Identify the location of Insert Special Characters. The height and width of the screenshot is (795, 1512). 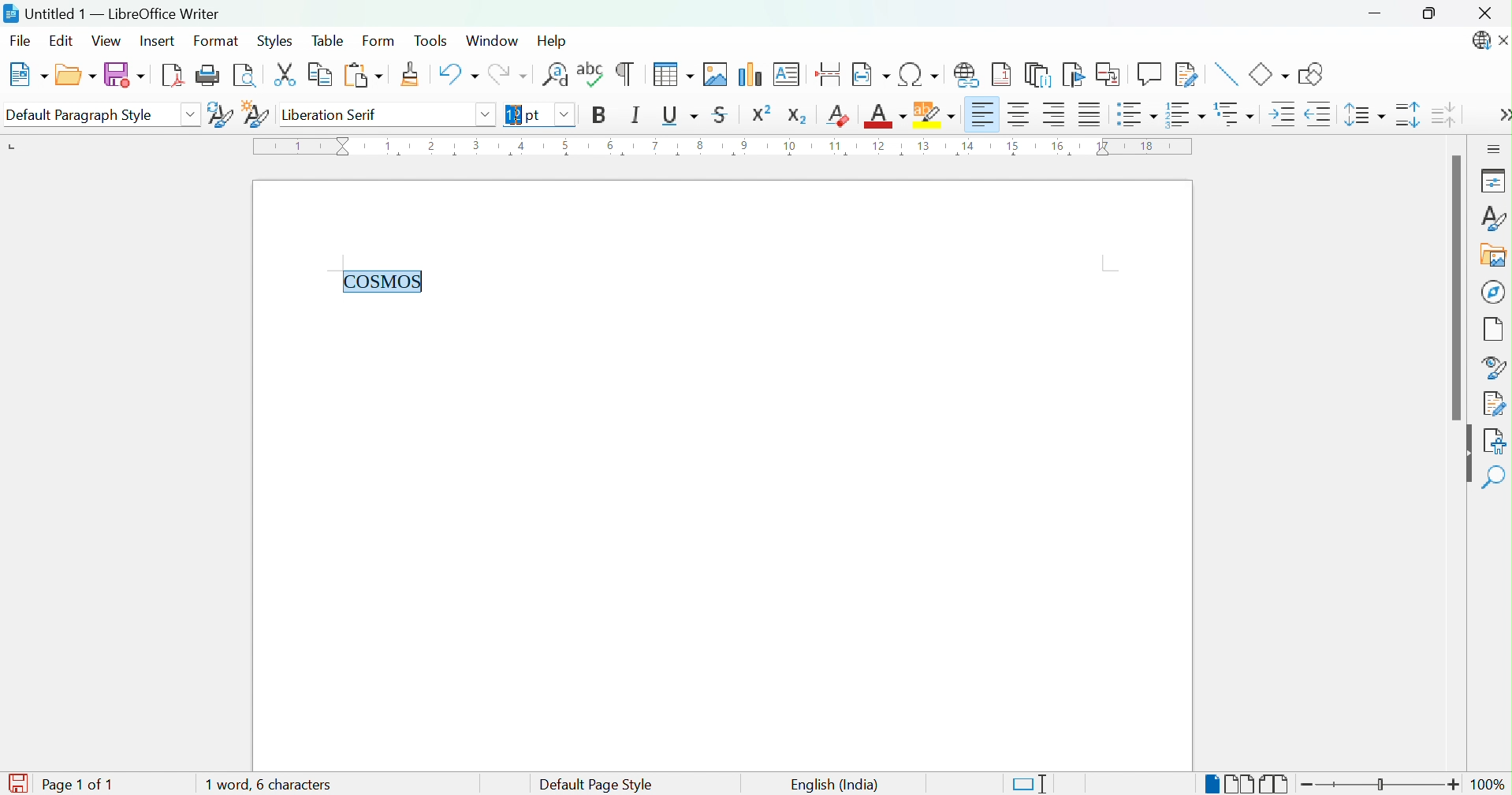
(920, 75).